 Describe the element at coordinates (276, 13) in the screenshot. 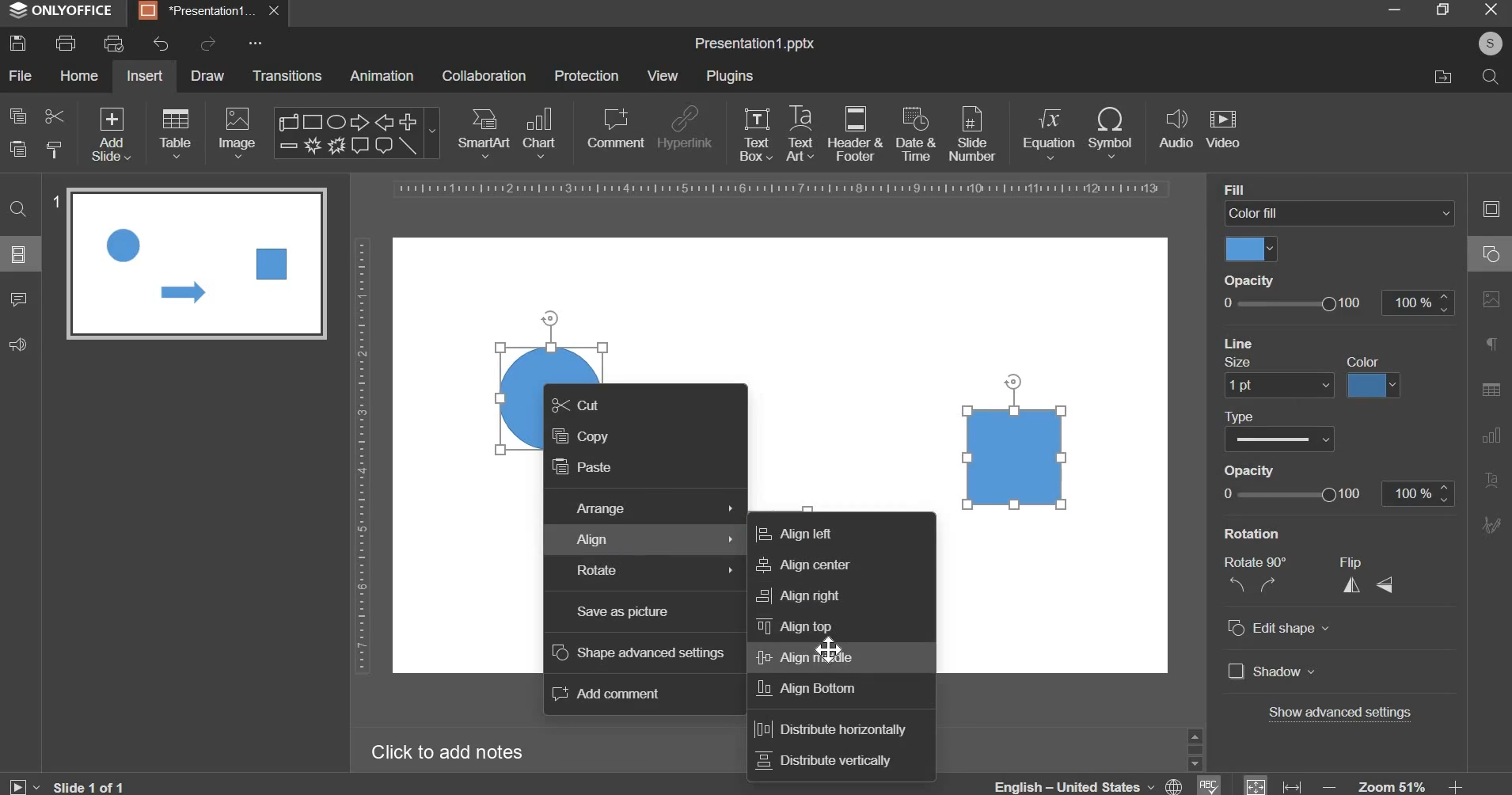

I see `close` at that location.